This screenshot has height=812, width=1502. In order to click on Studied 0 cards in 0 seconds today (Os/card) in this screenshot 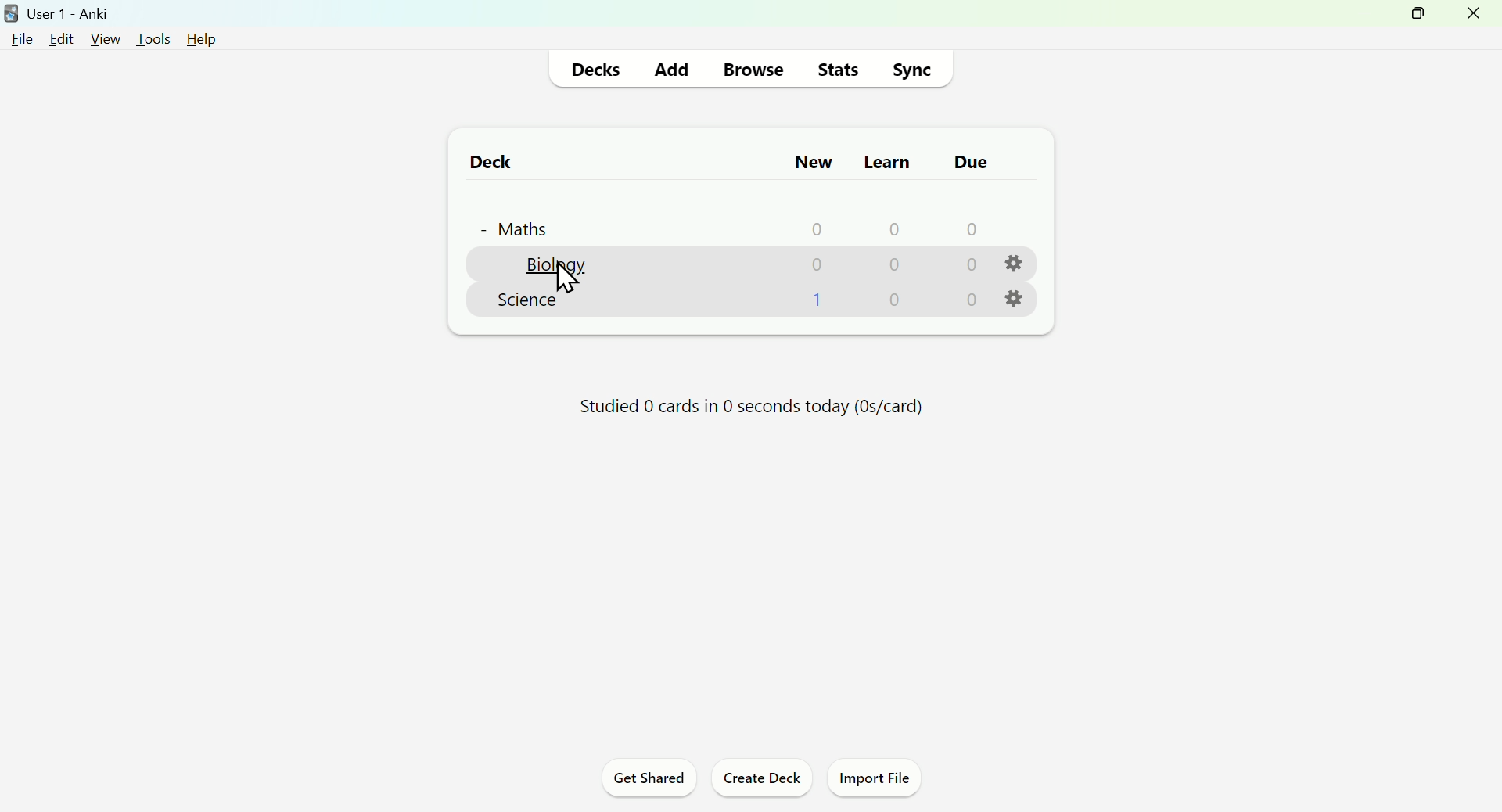, I will do `click(752, 405)`.